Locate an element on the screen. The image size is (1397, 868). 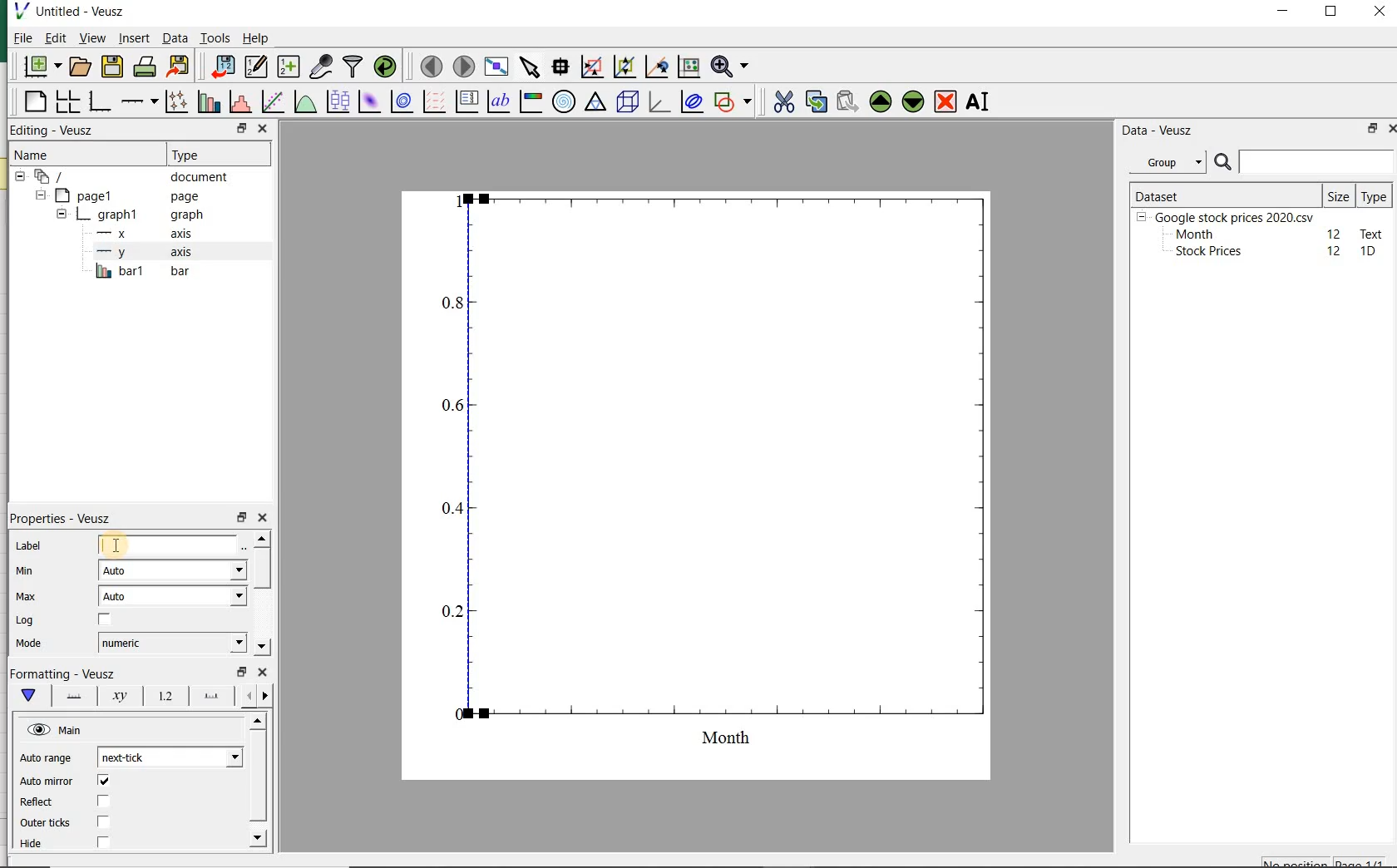
polar graph is located at coordinates (563, 101).